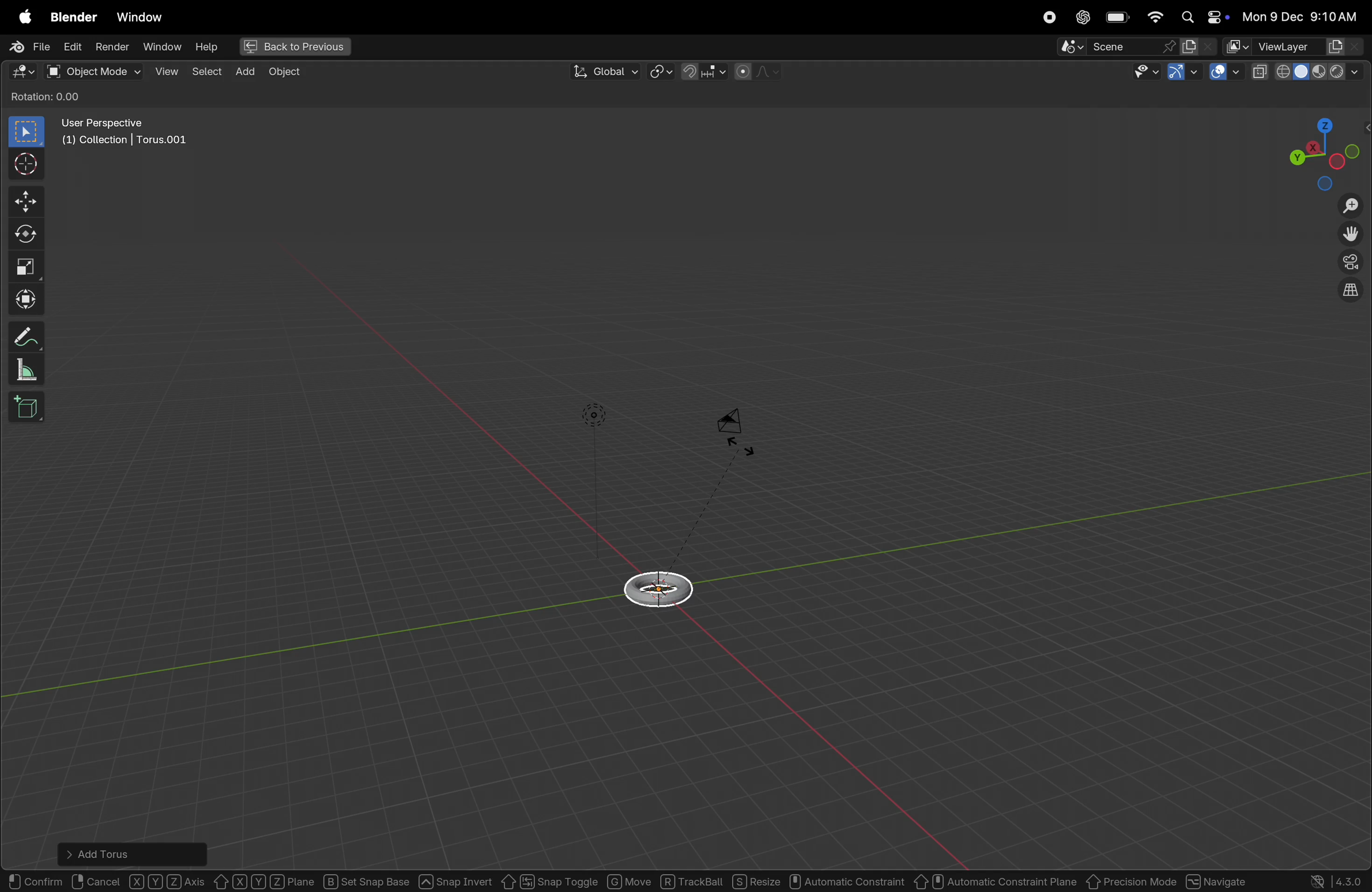  What do you see at coordinates (29, 300) in the screenshot?
I see `transform` at bounding box center [29, 300].